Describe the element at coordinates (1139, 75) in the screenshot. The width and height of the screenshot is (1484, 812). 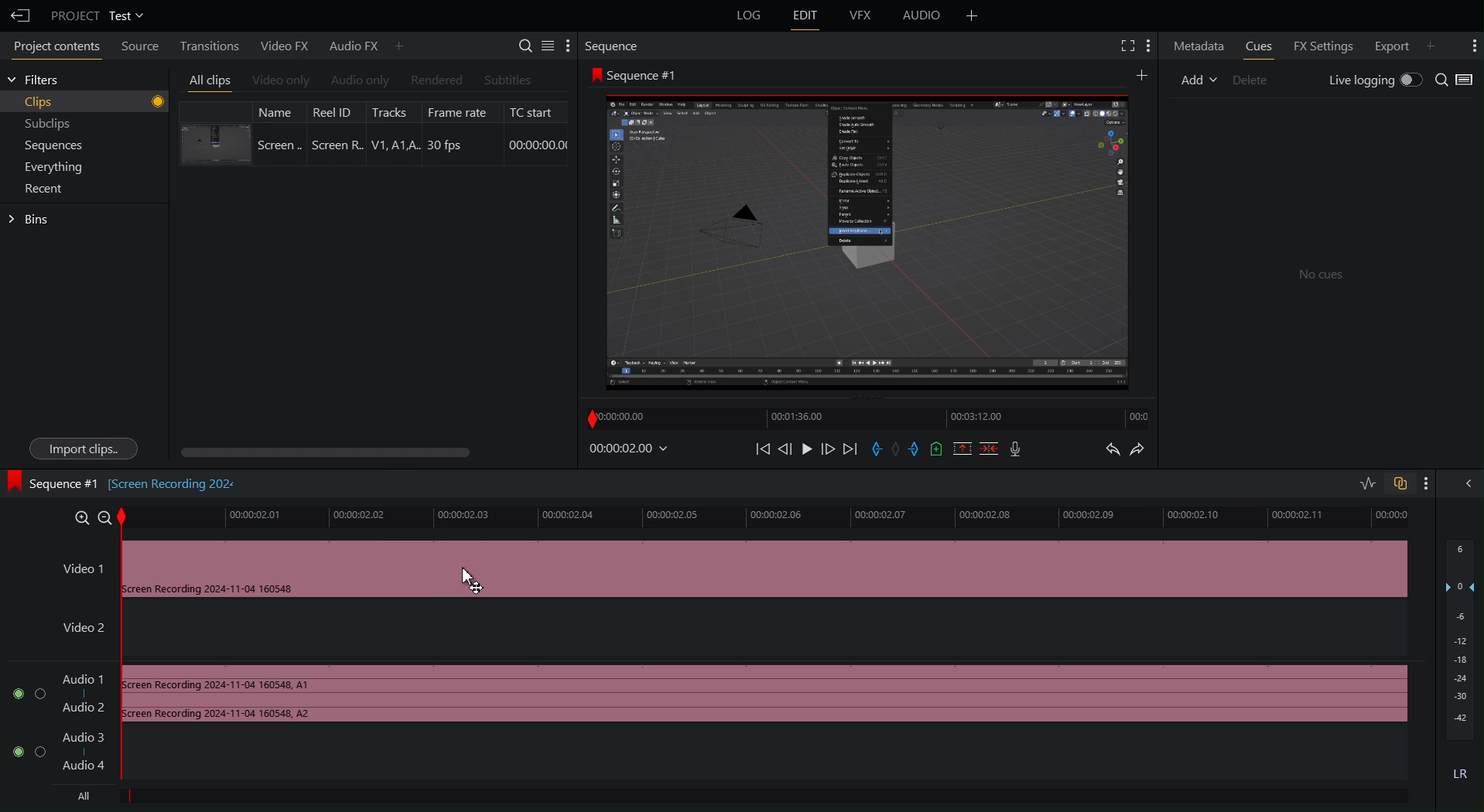
I see `More` at that location.